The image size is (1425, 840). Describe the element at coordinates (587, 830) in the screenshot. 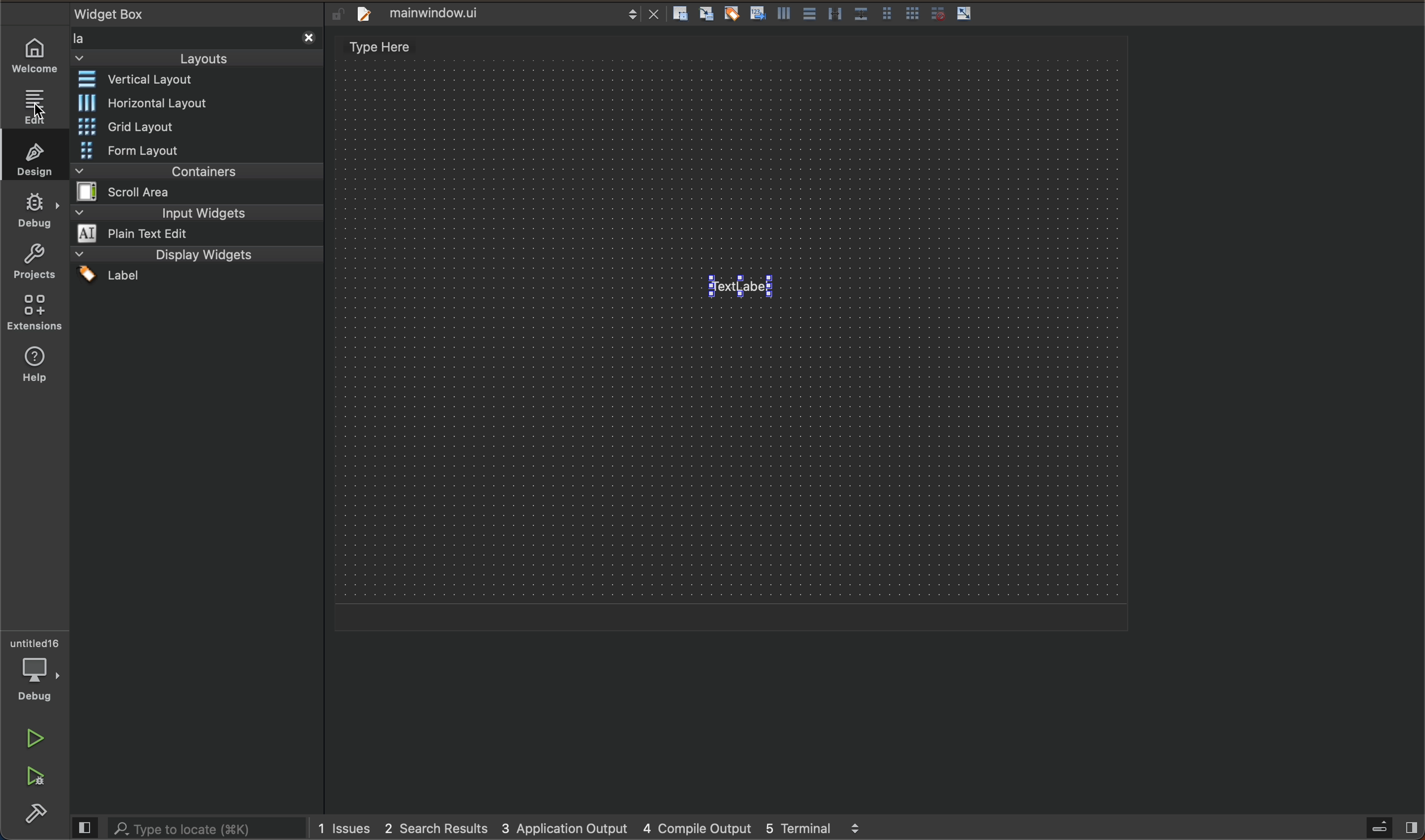

I see `1 Issues 2 Search Results 3 Application Output 4 Compile Output 5 Terminal` at that location.